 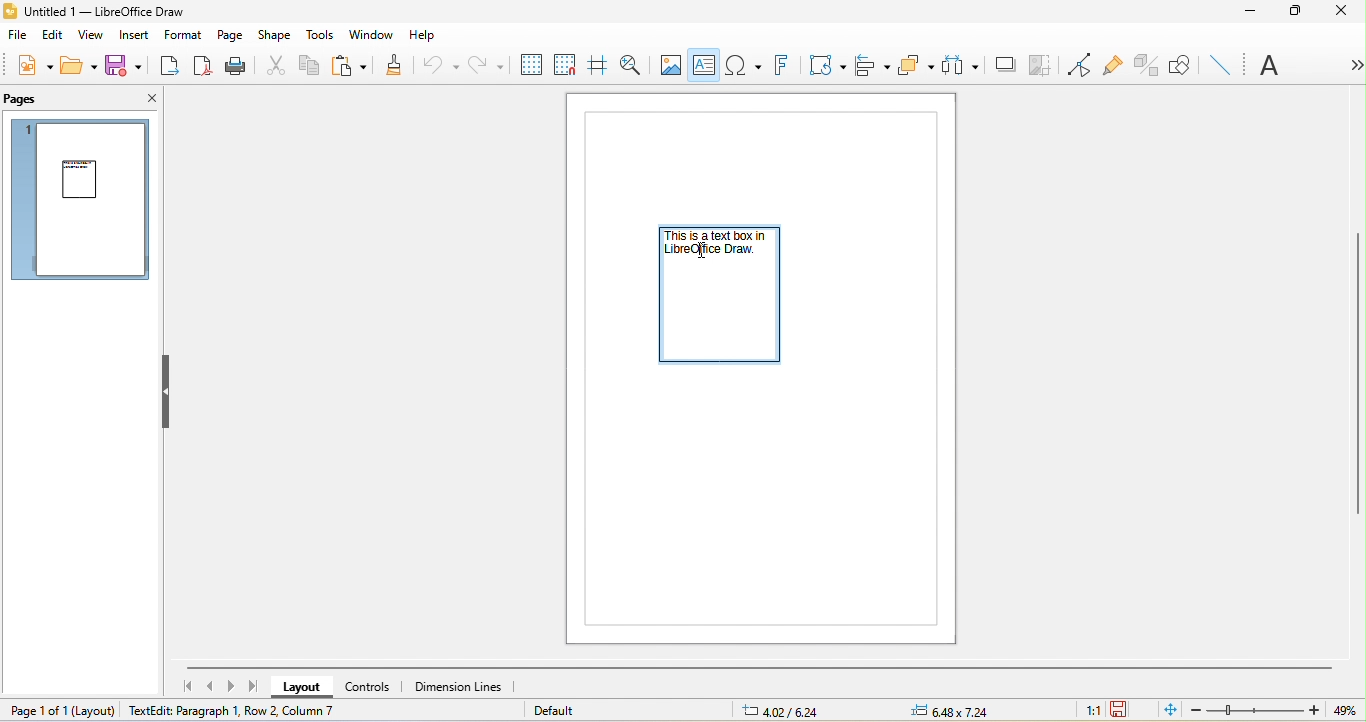 I want to click on helpline while moving, so click(x=596, y=65).